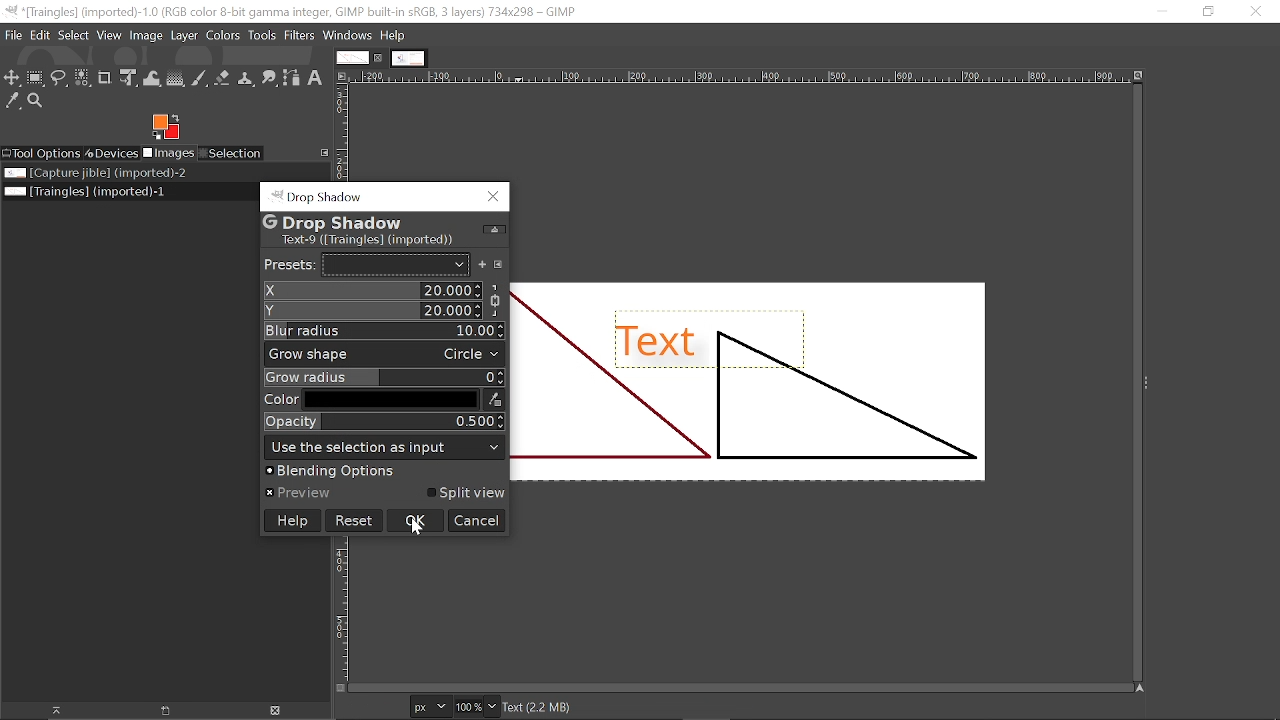 This screenshot has width=1280, height=720. Describe the element at coordinates (232, 153) in the screenshot. I see `Selection` at that location.